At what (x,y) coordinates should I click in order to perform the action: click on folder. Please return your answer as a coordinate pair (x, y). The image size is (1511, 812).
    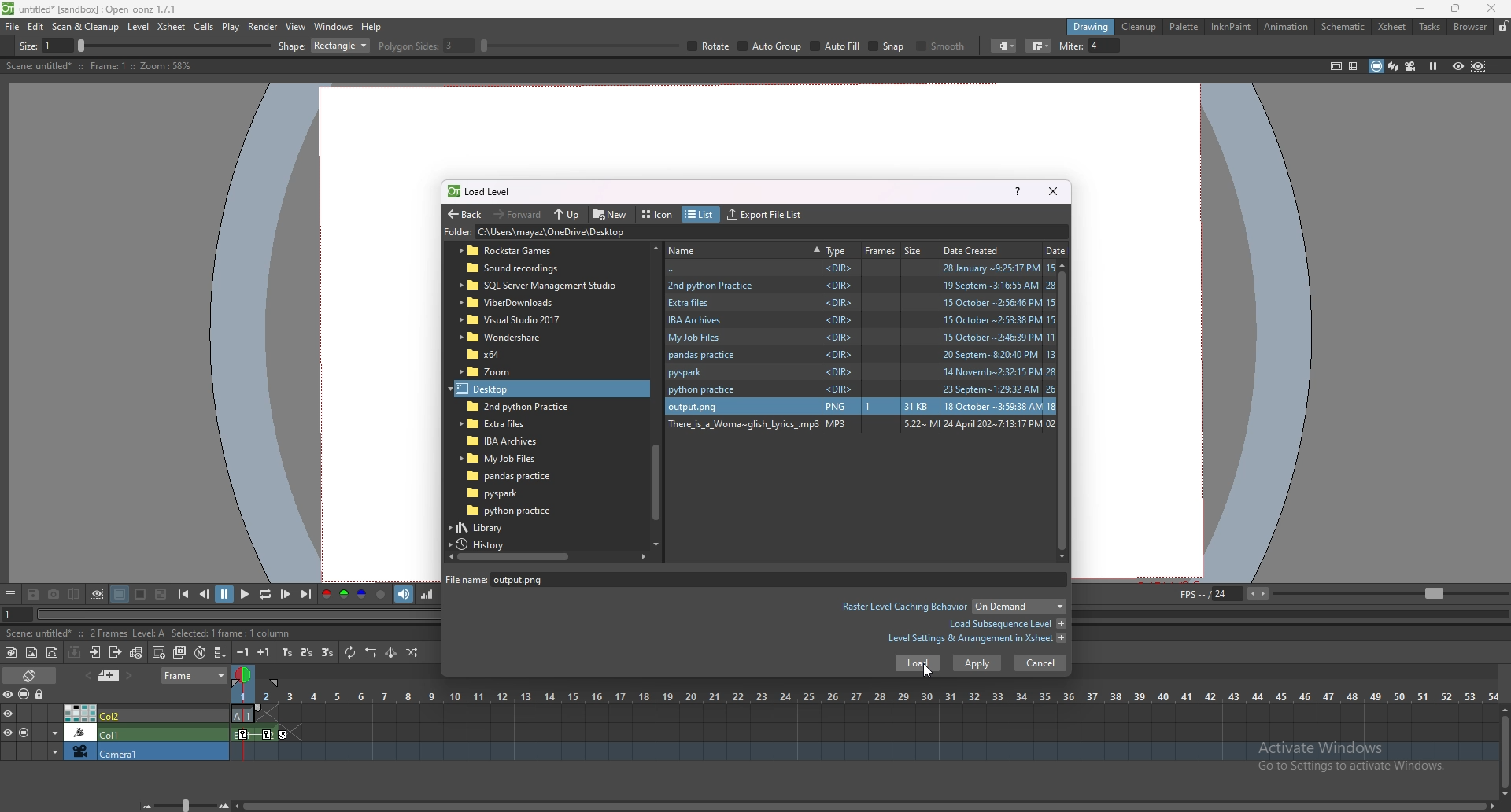
    Looking at the image, I should click on (861, 390).